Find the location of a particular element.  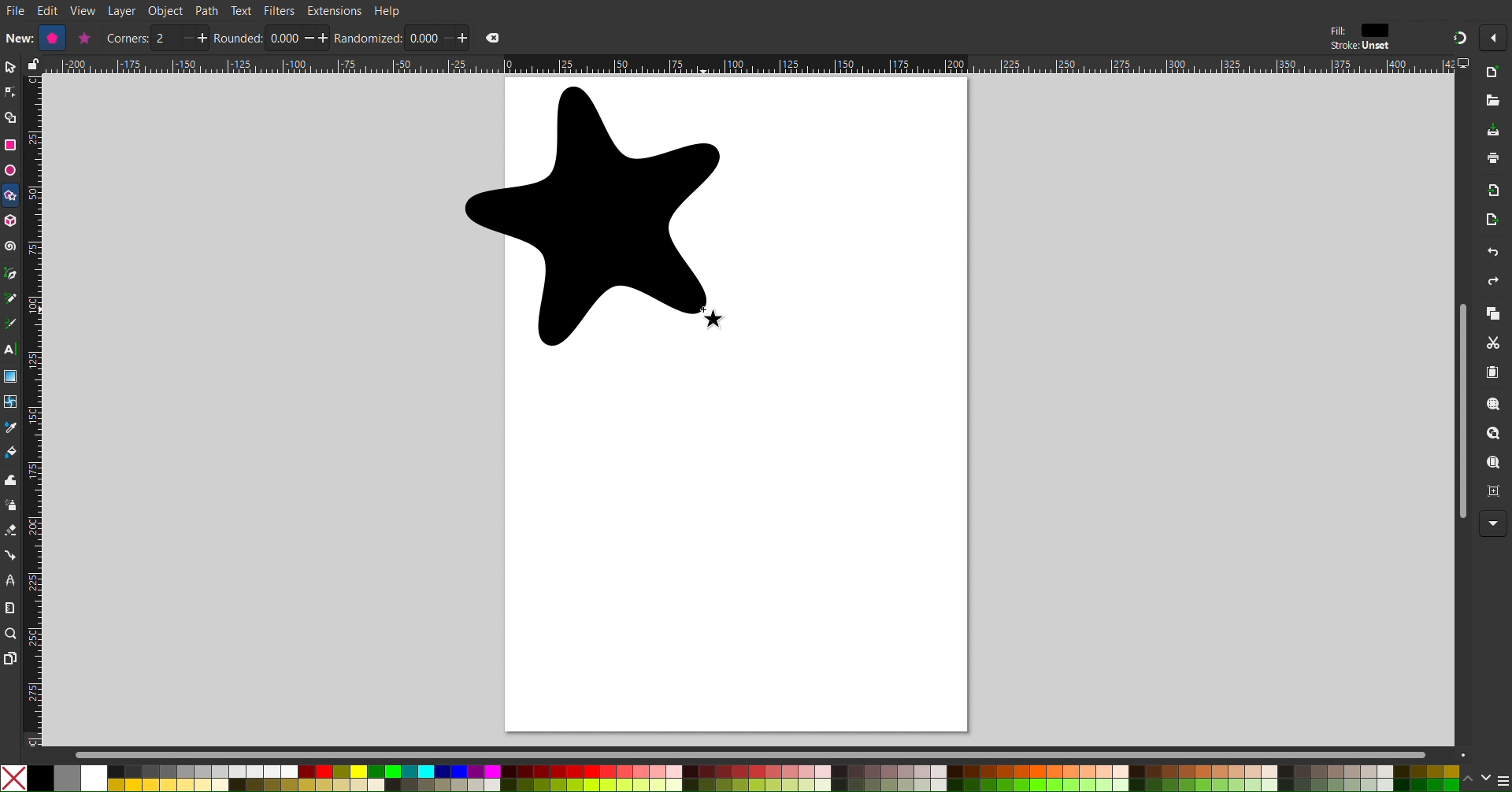

Redo is located at coordinates (1491, 283).